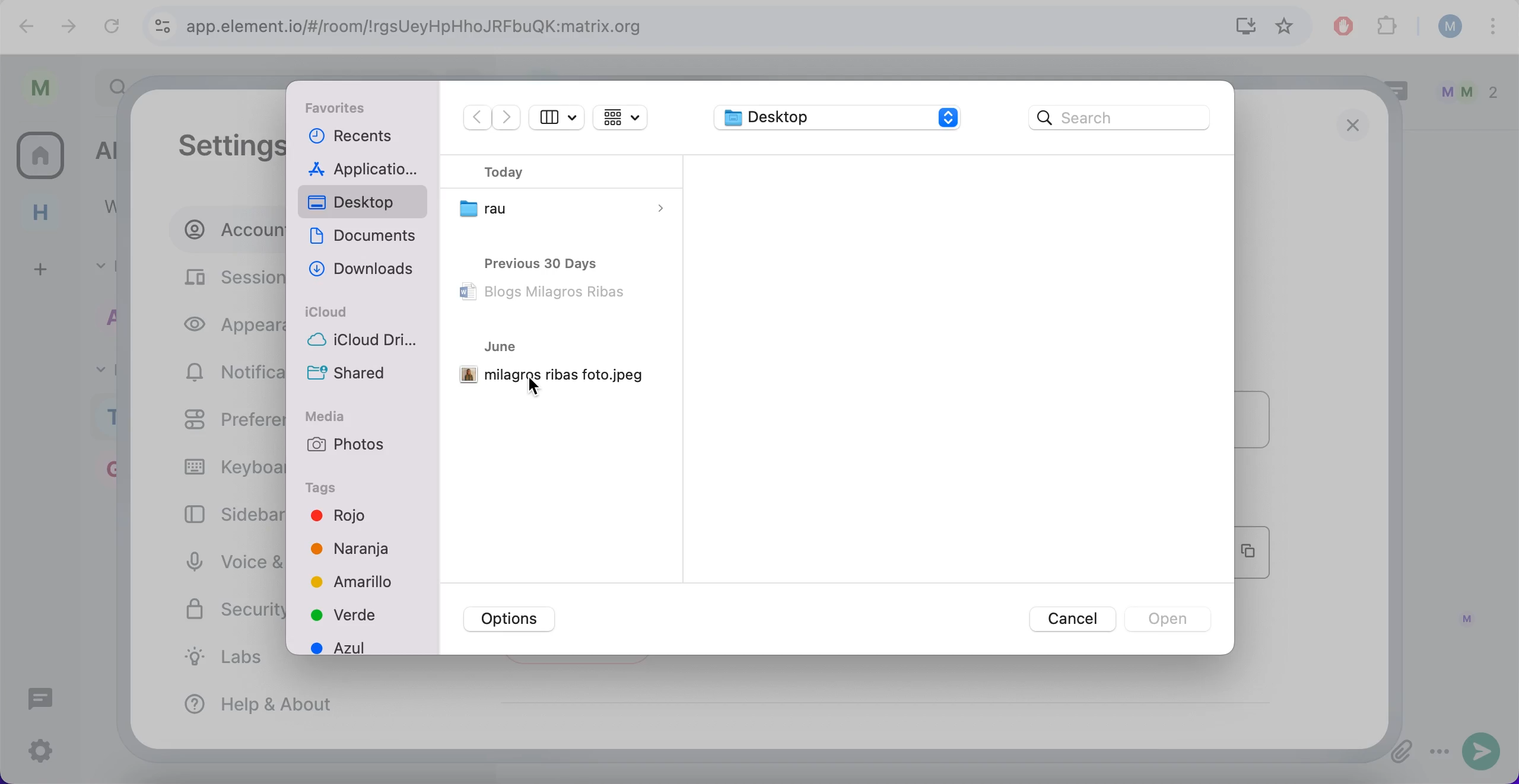 The image size is (1519, 784). I want to click on google search, so click(1114, 120).